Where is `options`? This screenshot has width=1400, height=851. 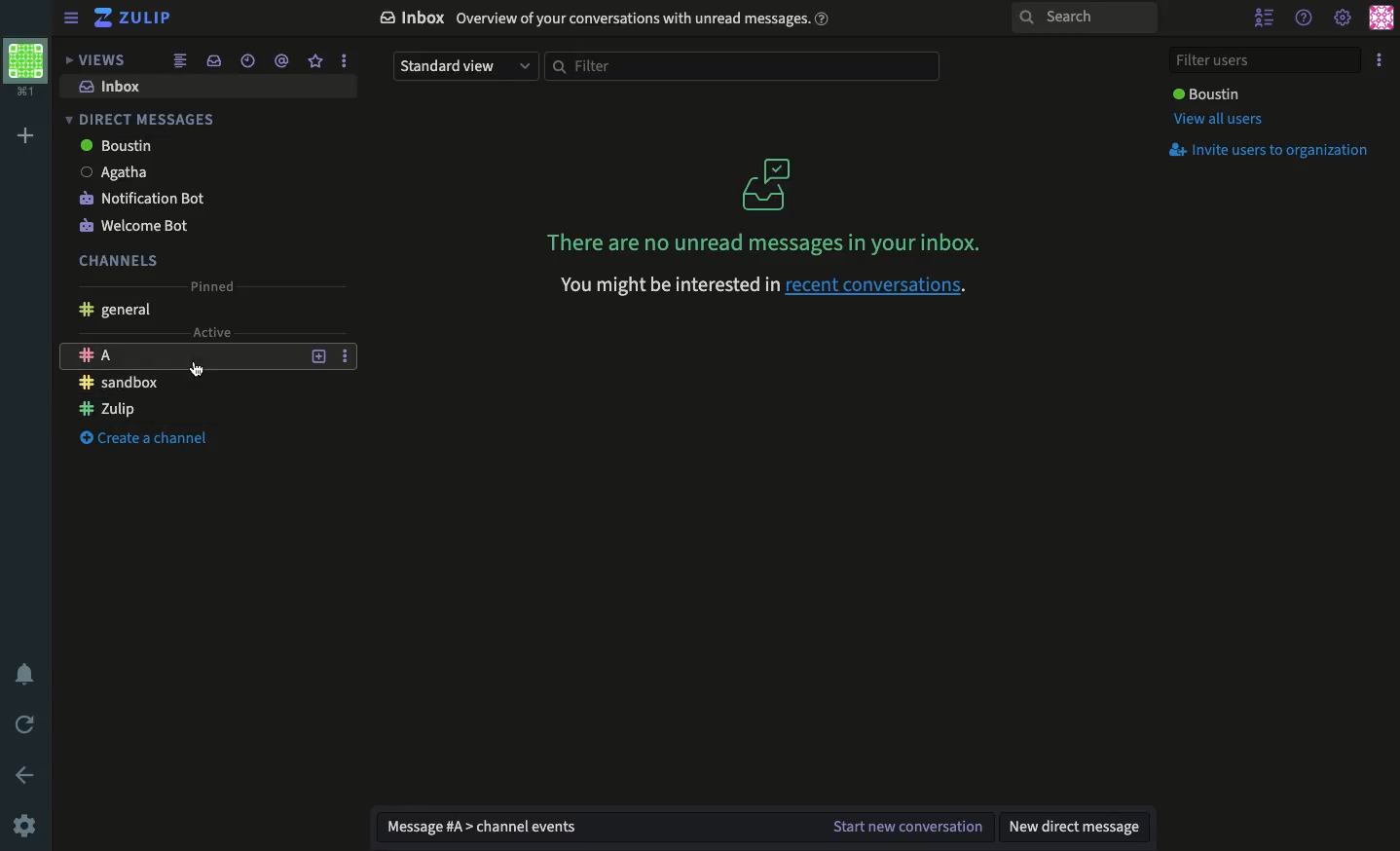 options is located at coordinates (344, 60).